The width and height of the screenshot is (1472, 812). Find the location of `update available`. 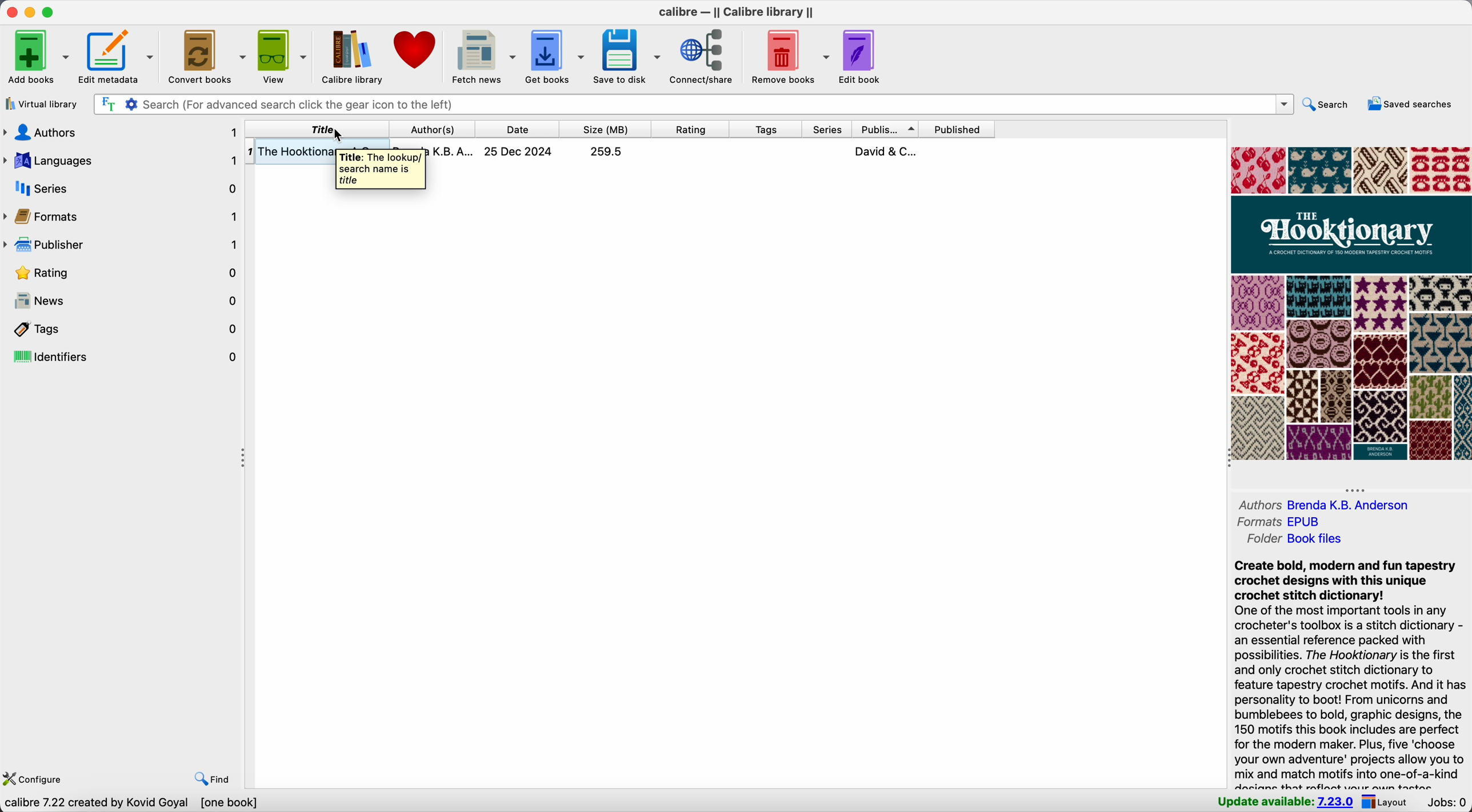

update available is located at coordinates (1287, 800).